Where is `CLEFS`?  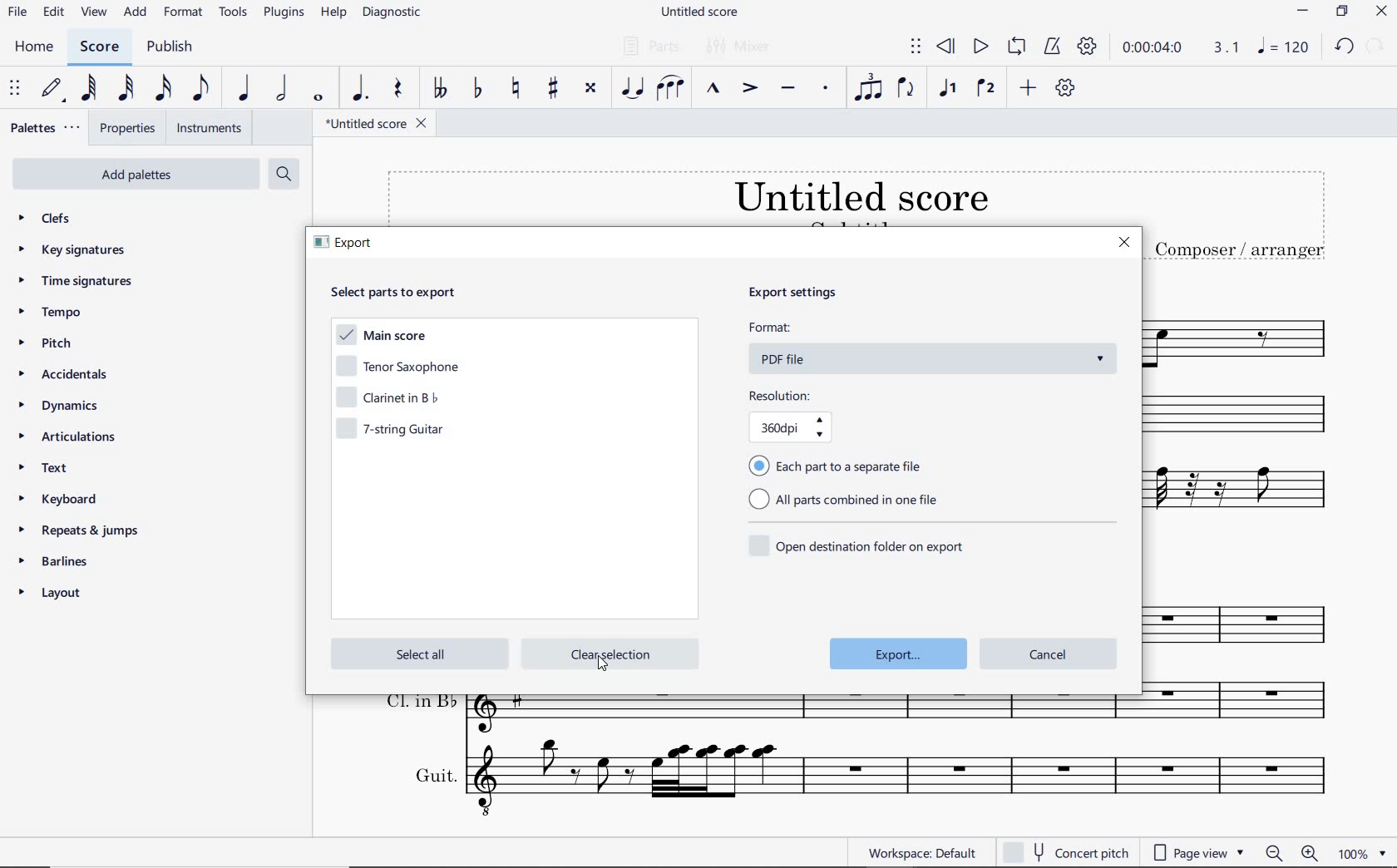 CLEFS is located at coordinates (47, 218).